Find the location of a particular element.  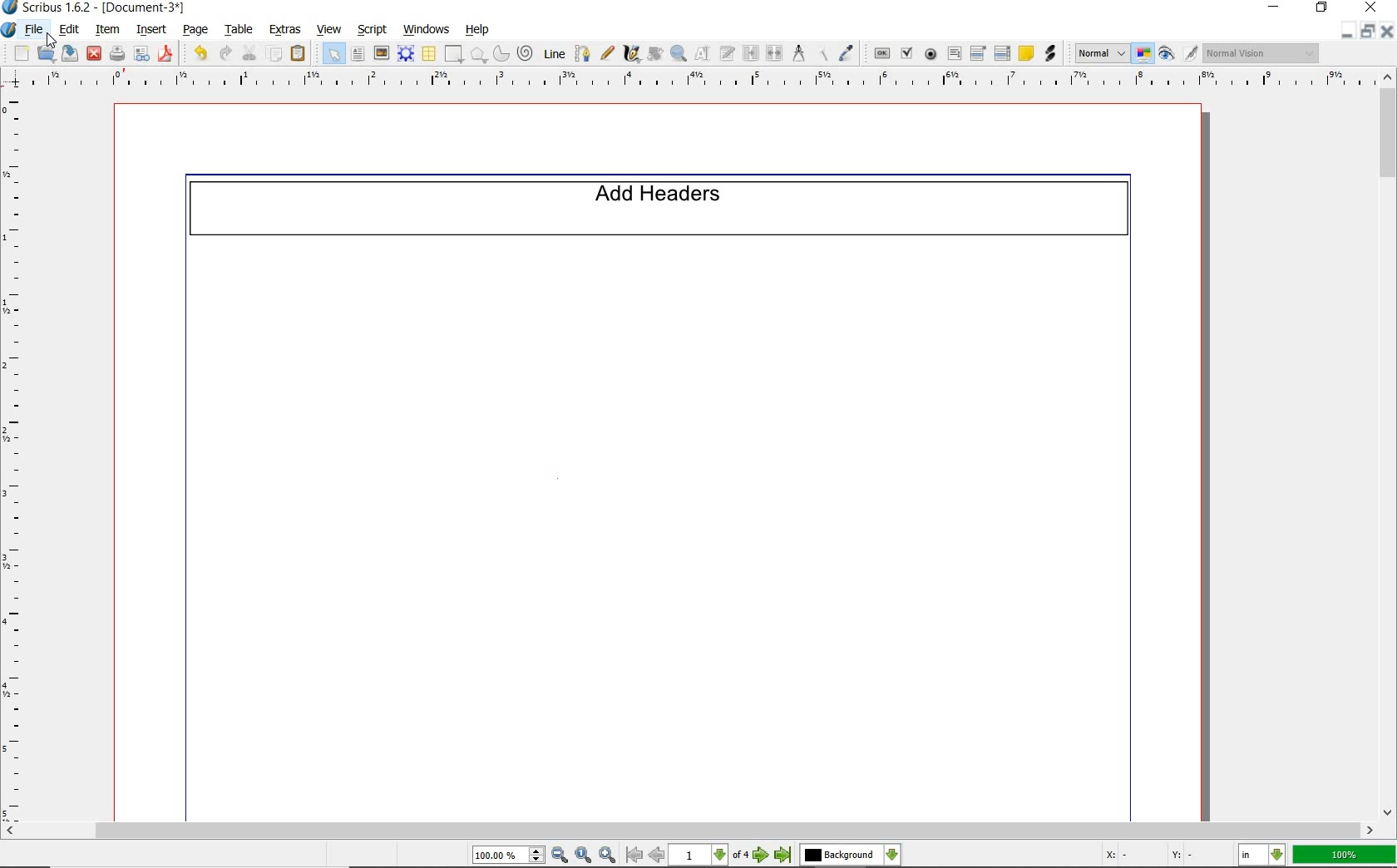

freehand line is located at coordinates (608, 54).